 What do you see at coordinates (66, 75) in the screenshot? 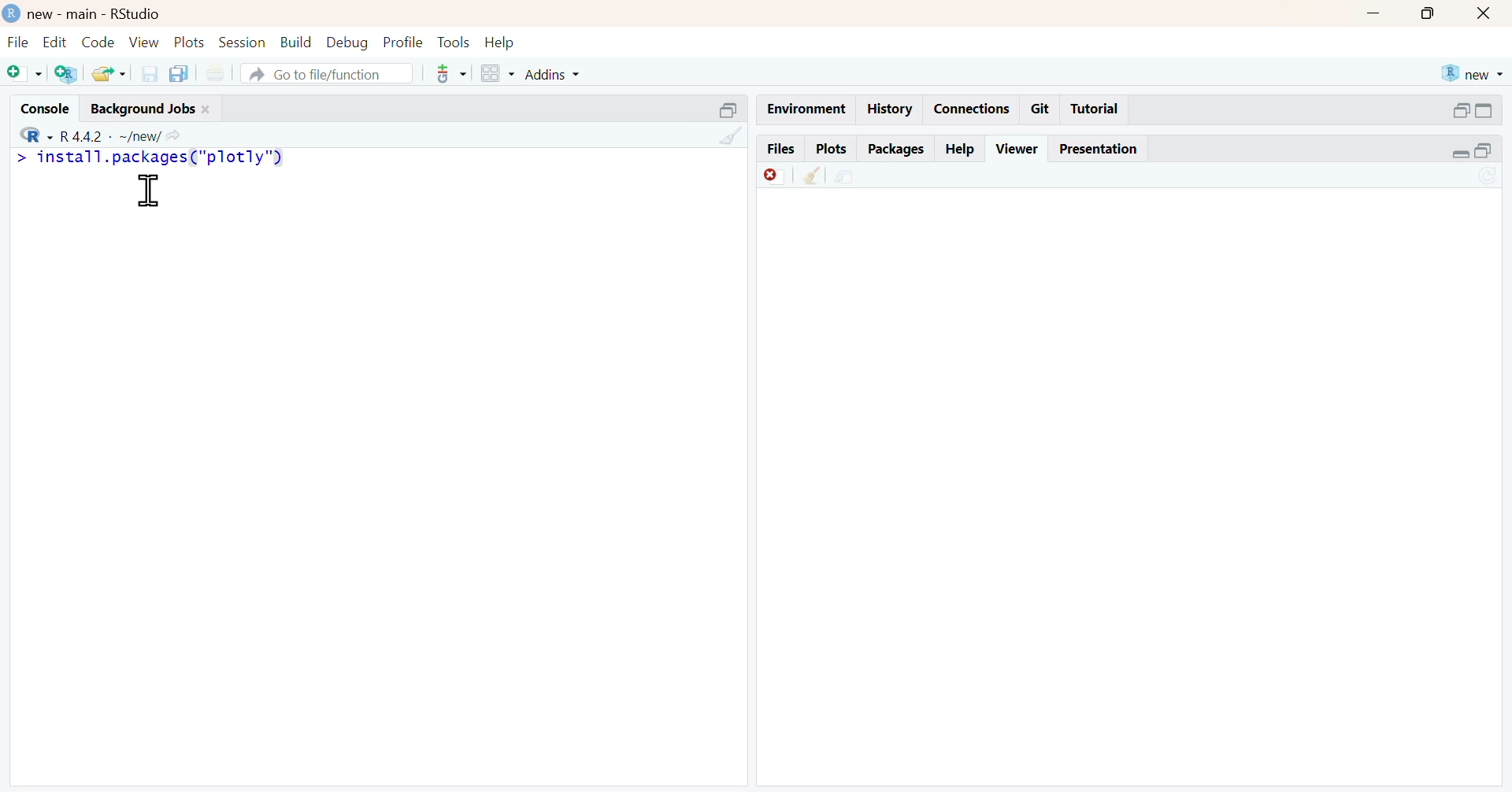
I see `create a project` at bounding box center [66, 75].